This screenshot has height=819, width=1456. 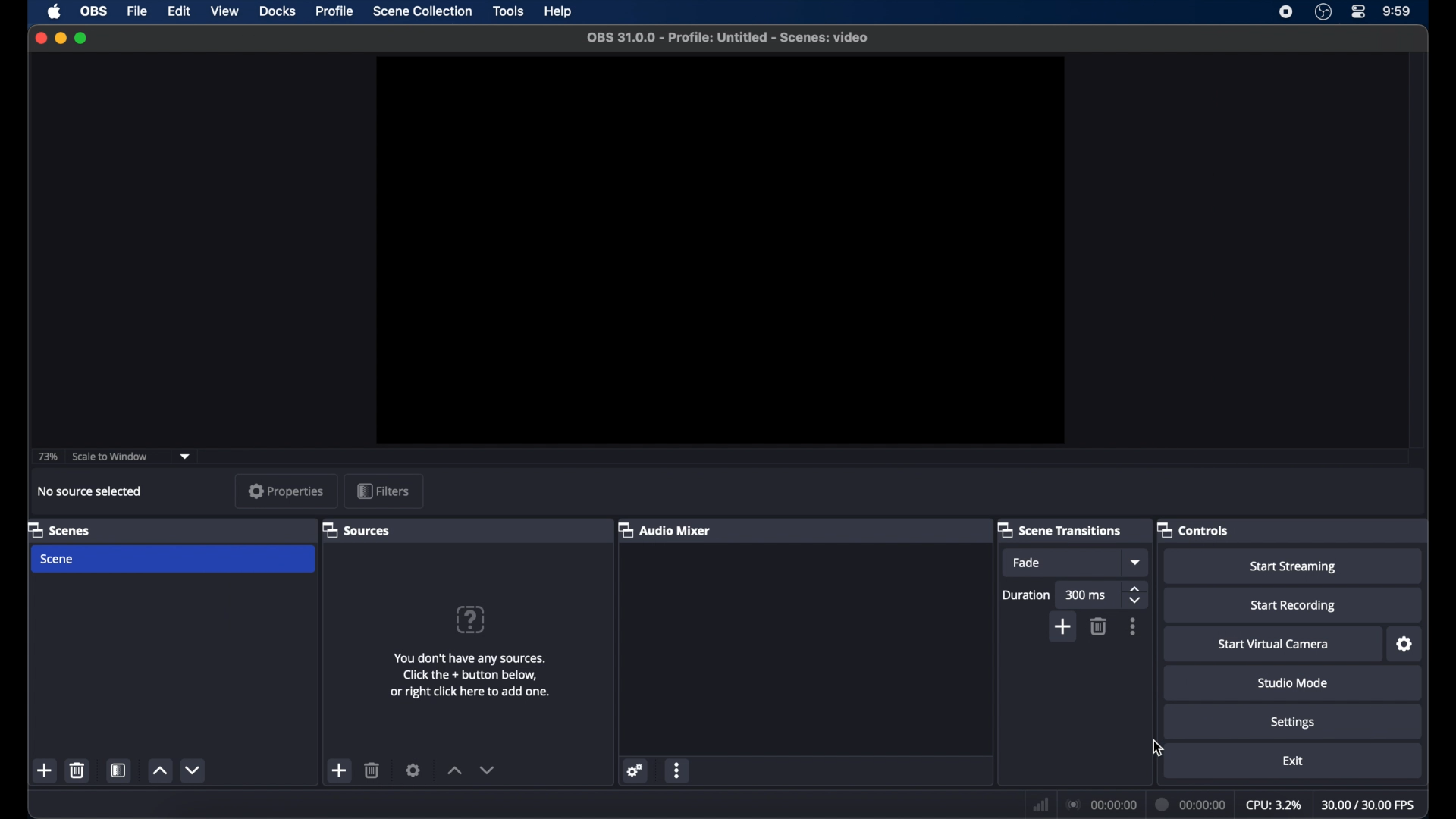 I want to click on 300 ms, so click(x=1086, y=596).